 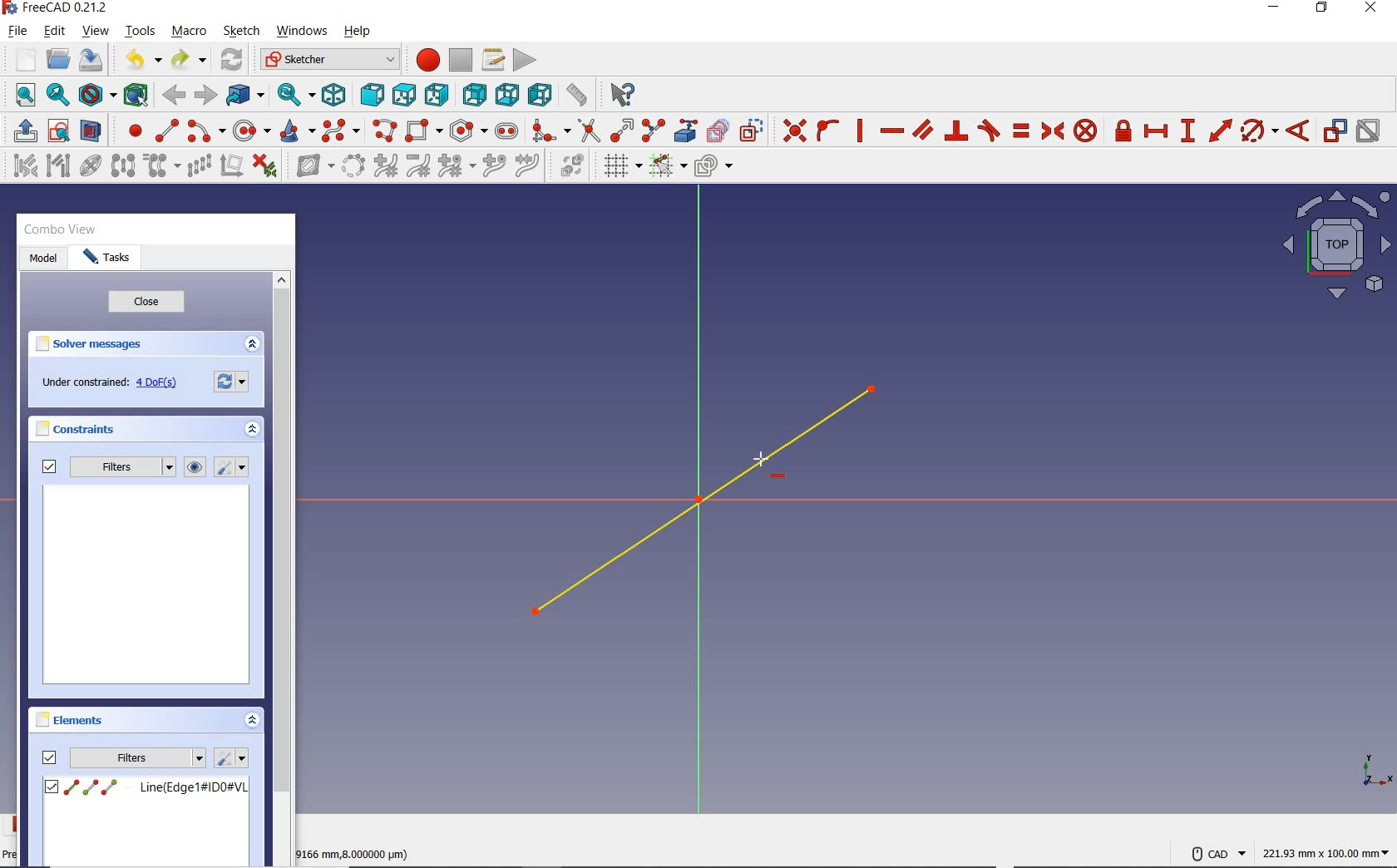 I want to click on CONVERT GEOMETRY TO B-SPLINE, so click(x=353, y=165).